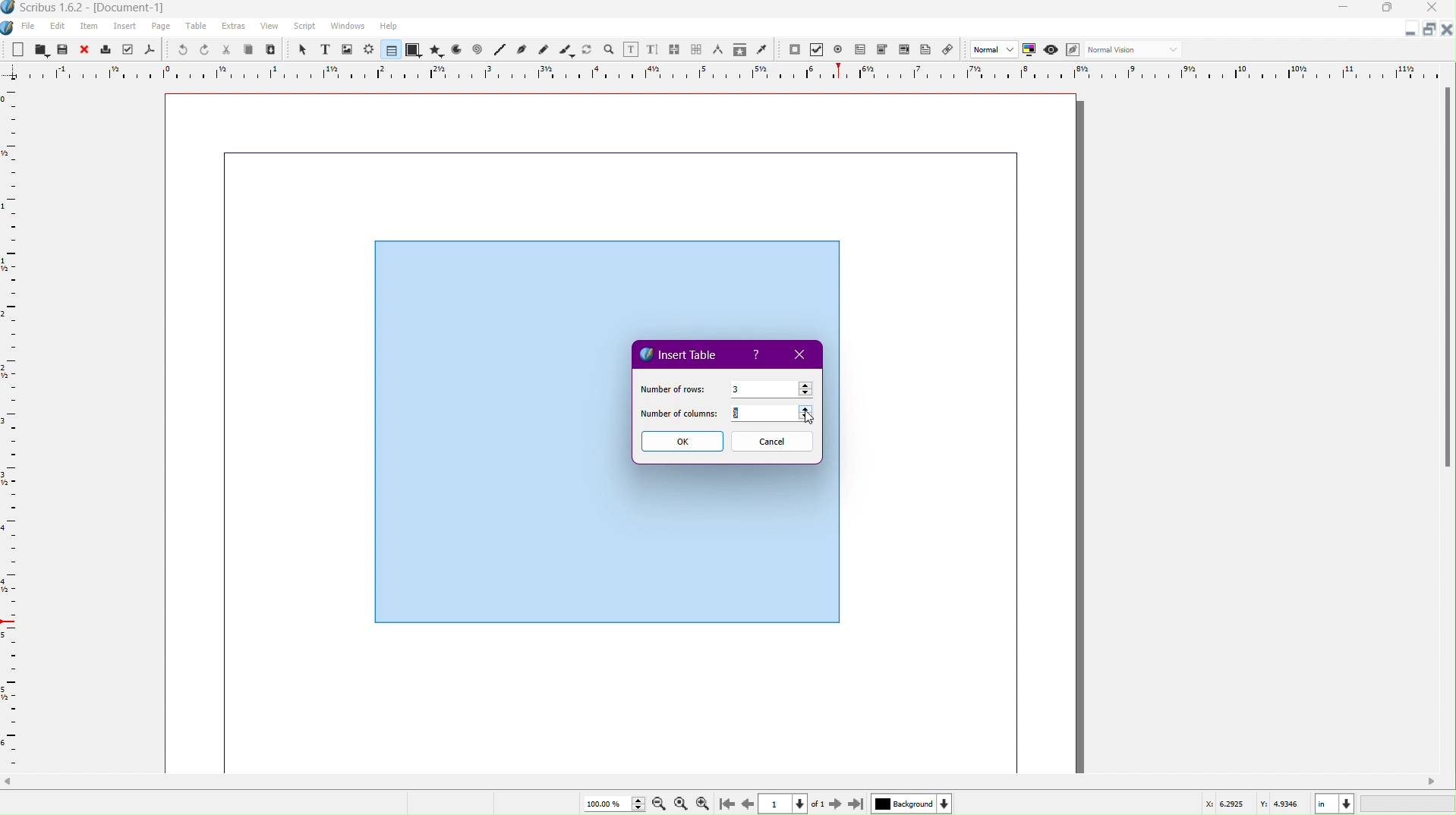 Image resolution: width=1456 pixels, height=815 pixels. What do you see at coordinates (304, 27) in the screenshot?
I see `Script` at bounding box center [304, 27].